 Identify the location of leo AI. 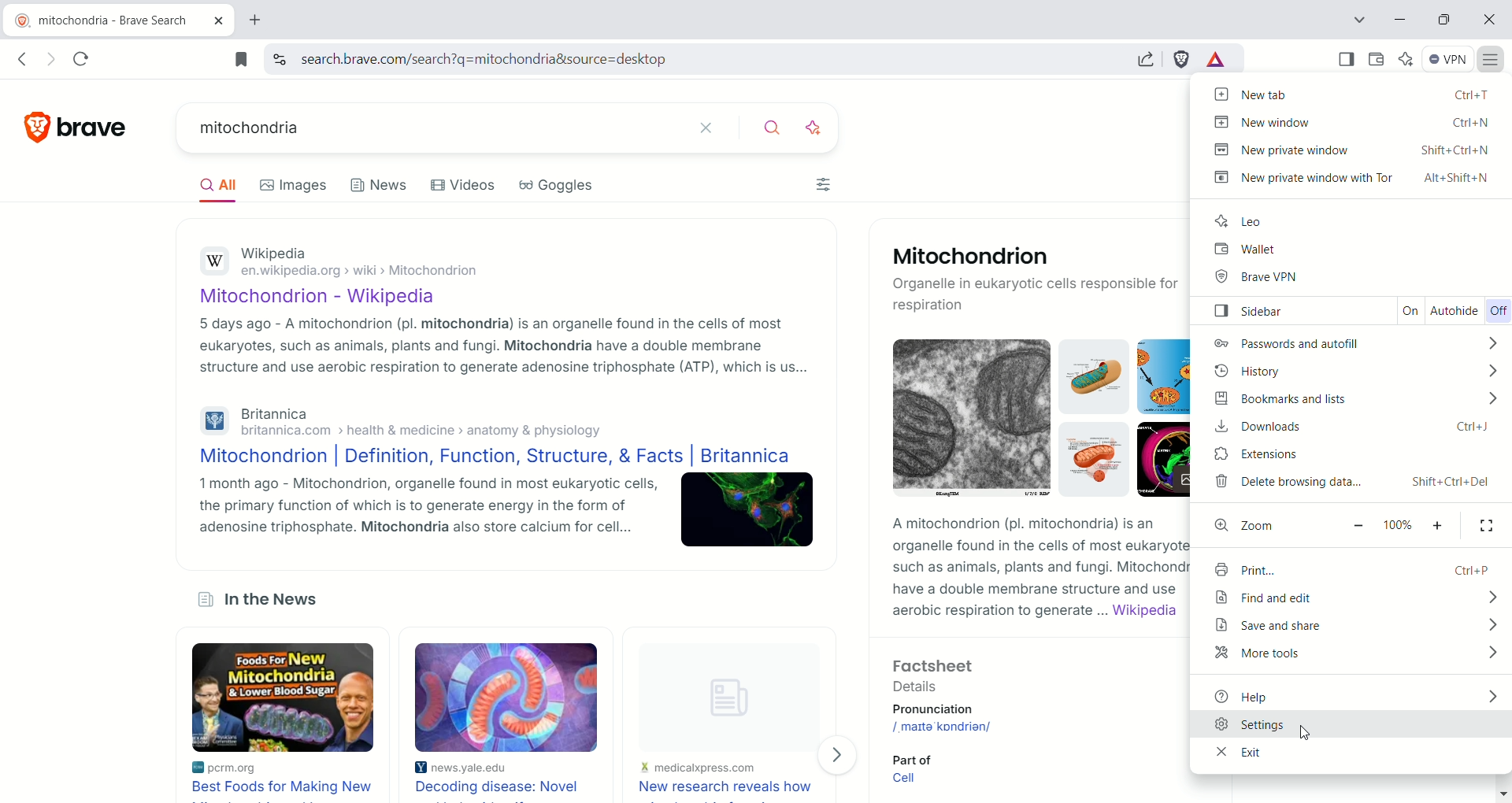
(1406, 56).